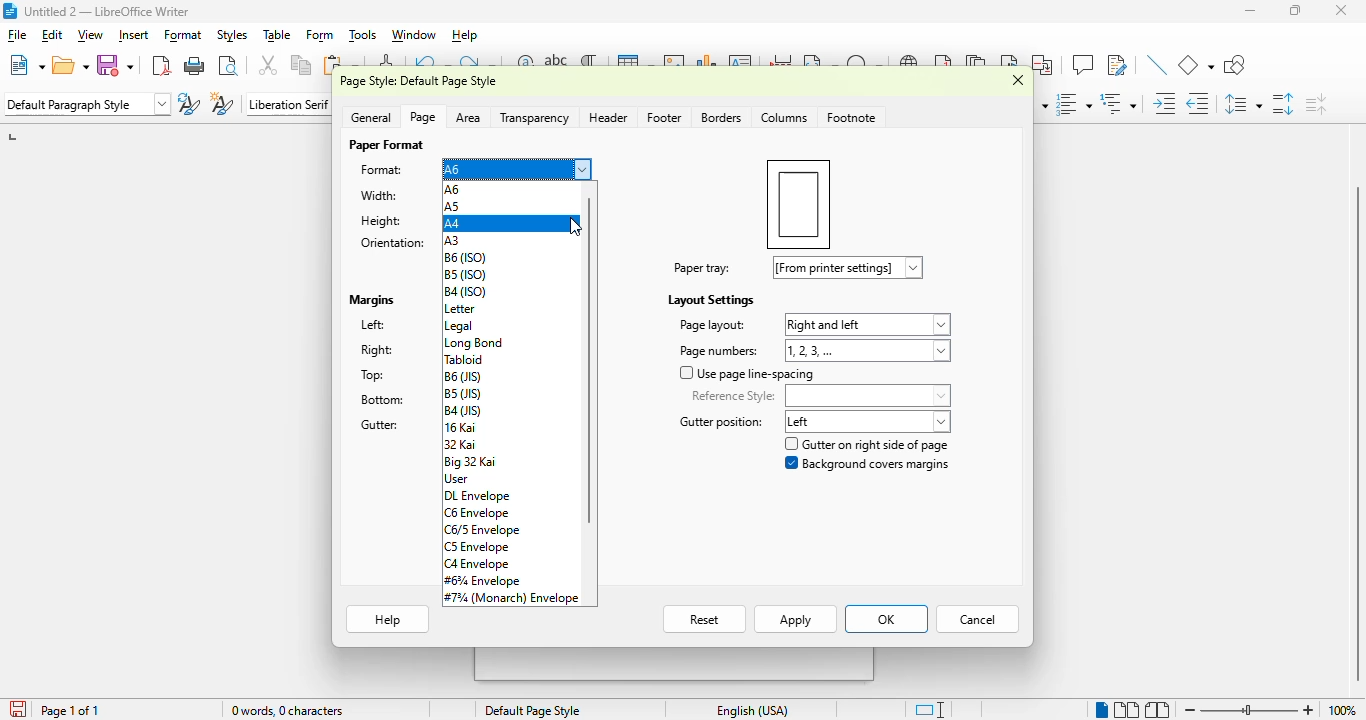  I want to click on left: 2.00cm, so click(388, 323).